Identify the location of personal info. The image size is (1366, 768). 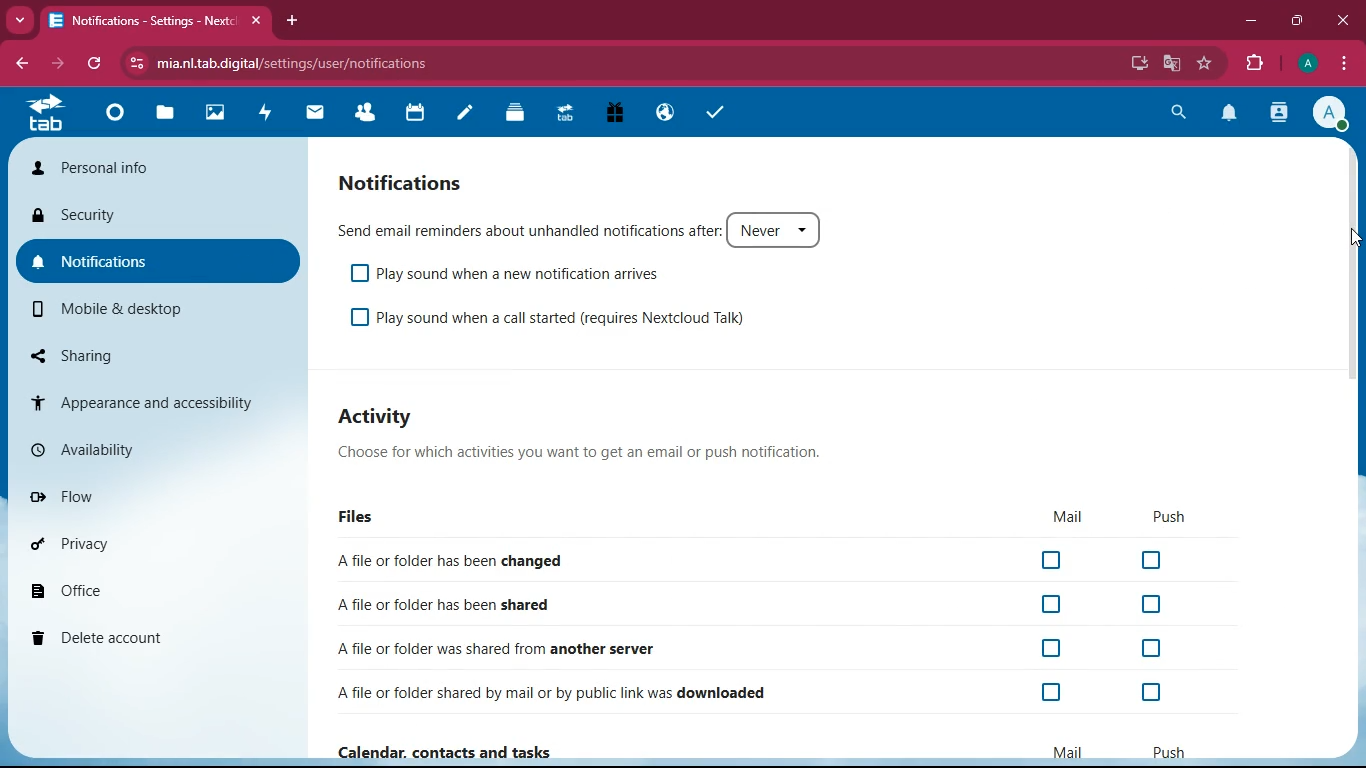
(160, 167).